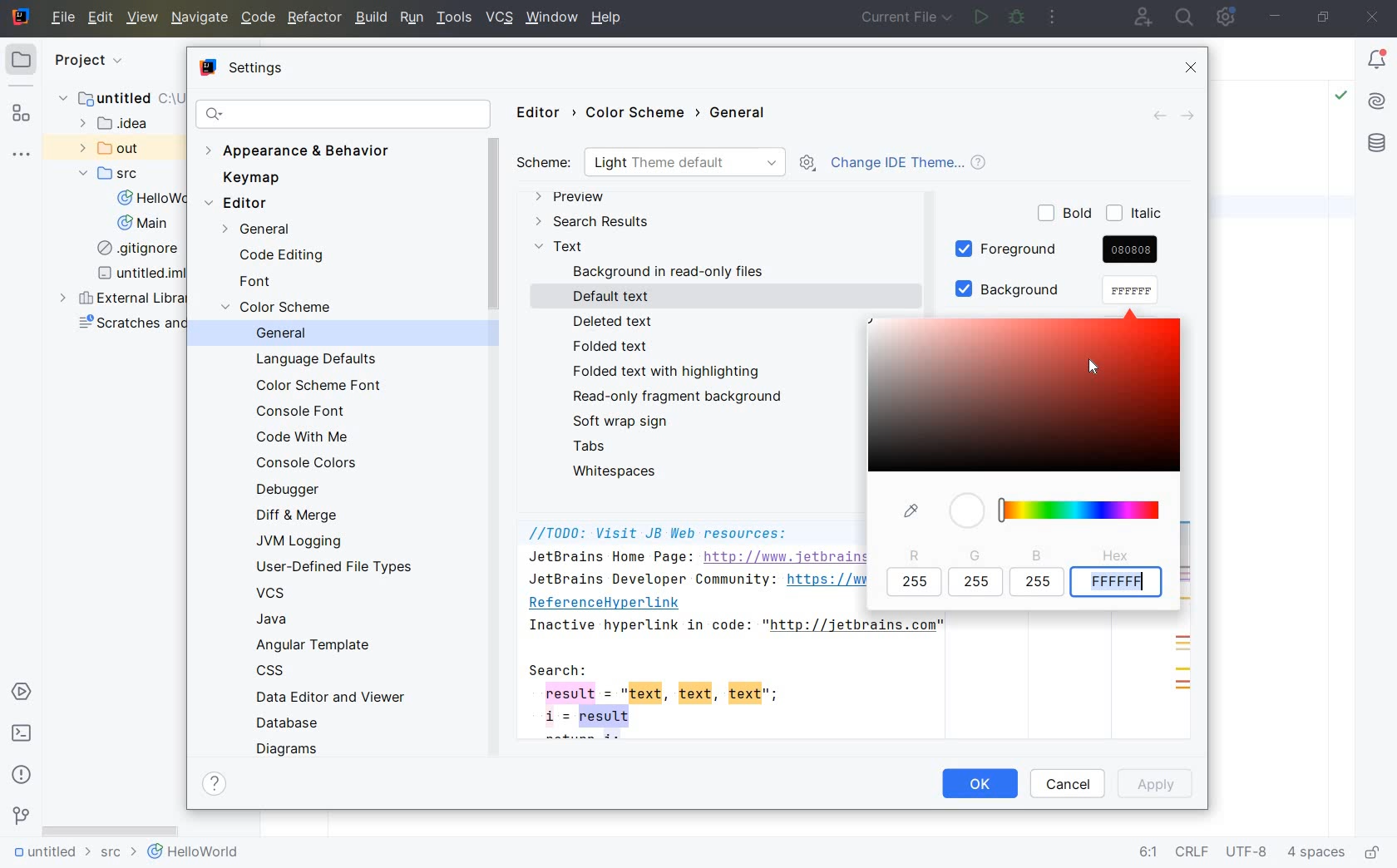  What do you see at coordinates (371, 17) in the screenshot?
I see `BUILD` at bounding box center [371, 17].